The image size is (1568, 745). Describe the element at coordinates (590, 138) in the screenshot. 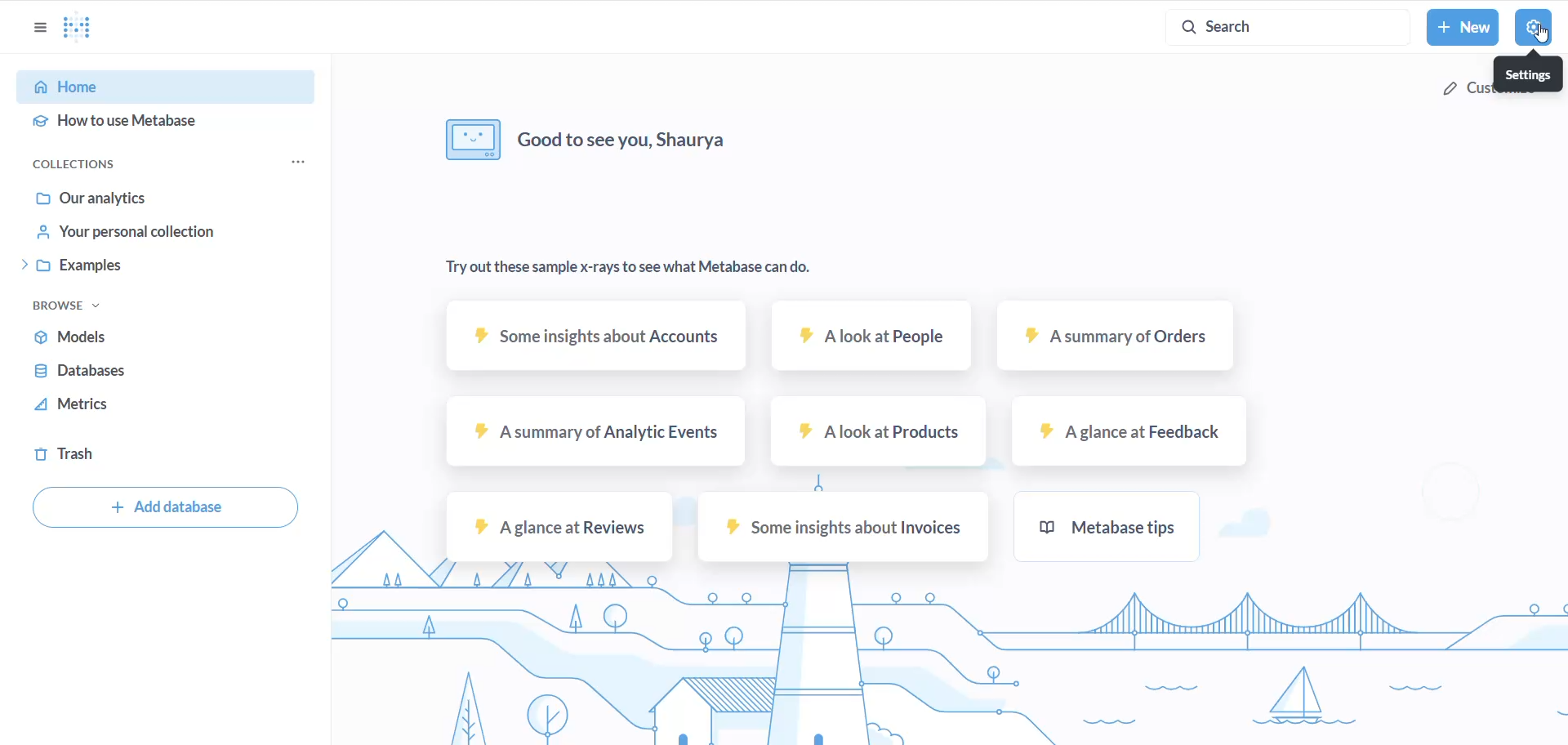

I see ` Good to see you, Shaurya` at that location.